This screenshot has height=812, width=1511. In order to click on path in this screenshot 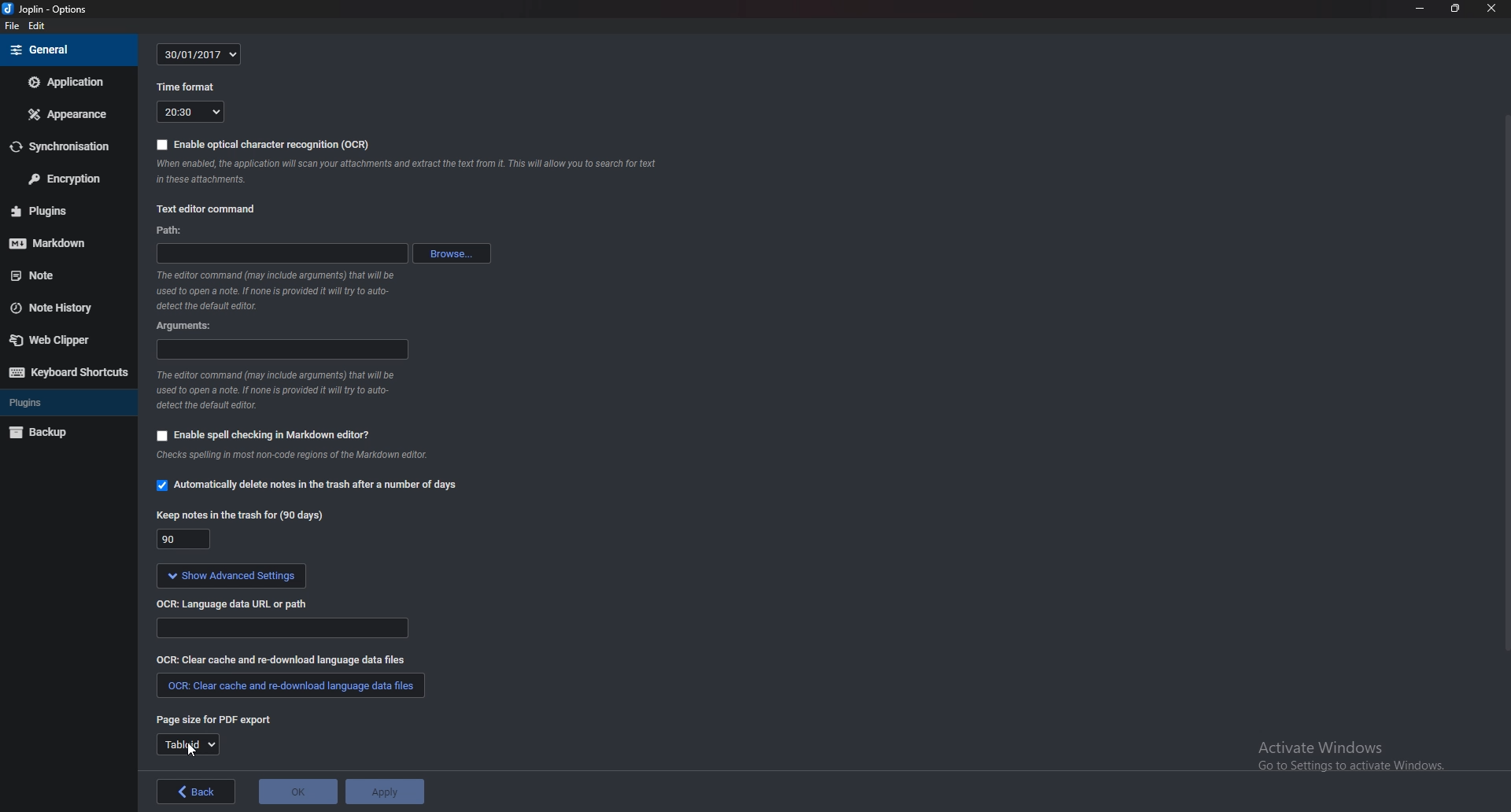, I will do `click(175, 231)`.